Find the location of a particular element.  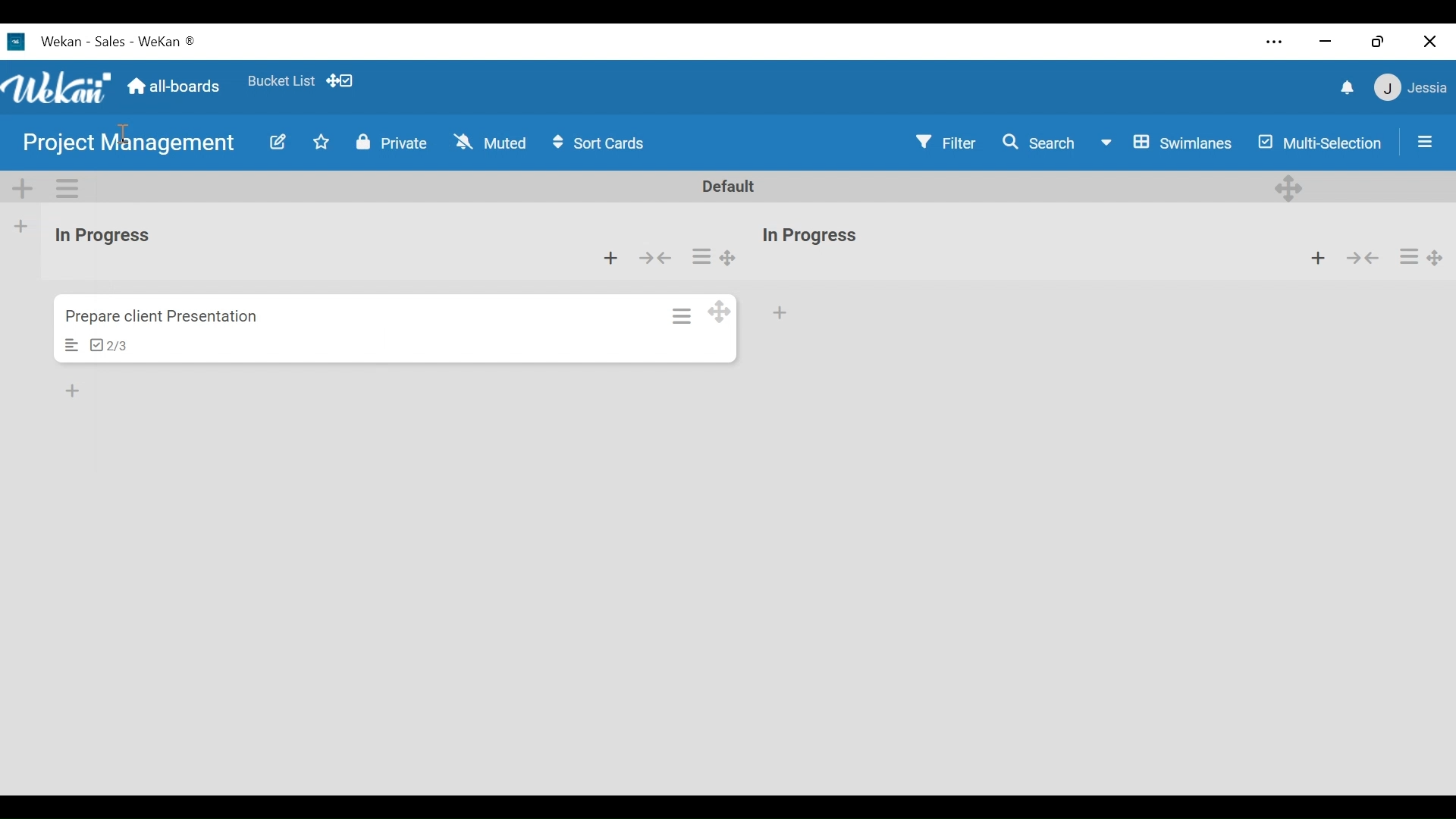

Favorite is located at coordinates (281, 82).